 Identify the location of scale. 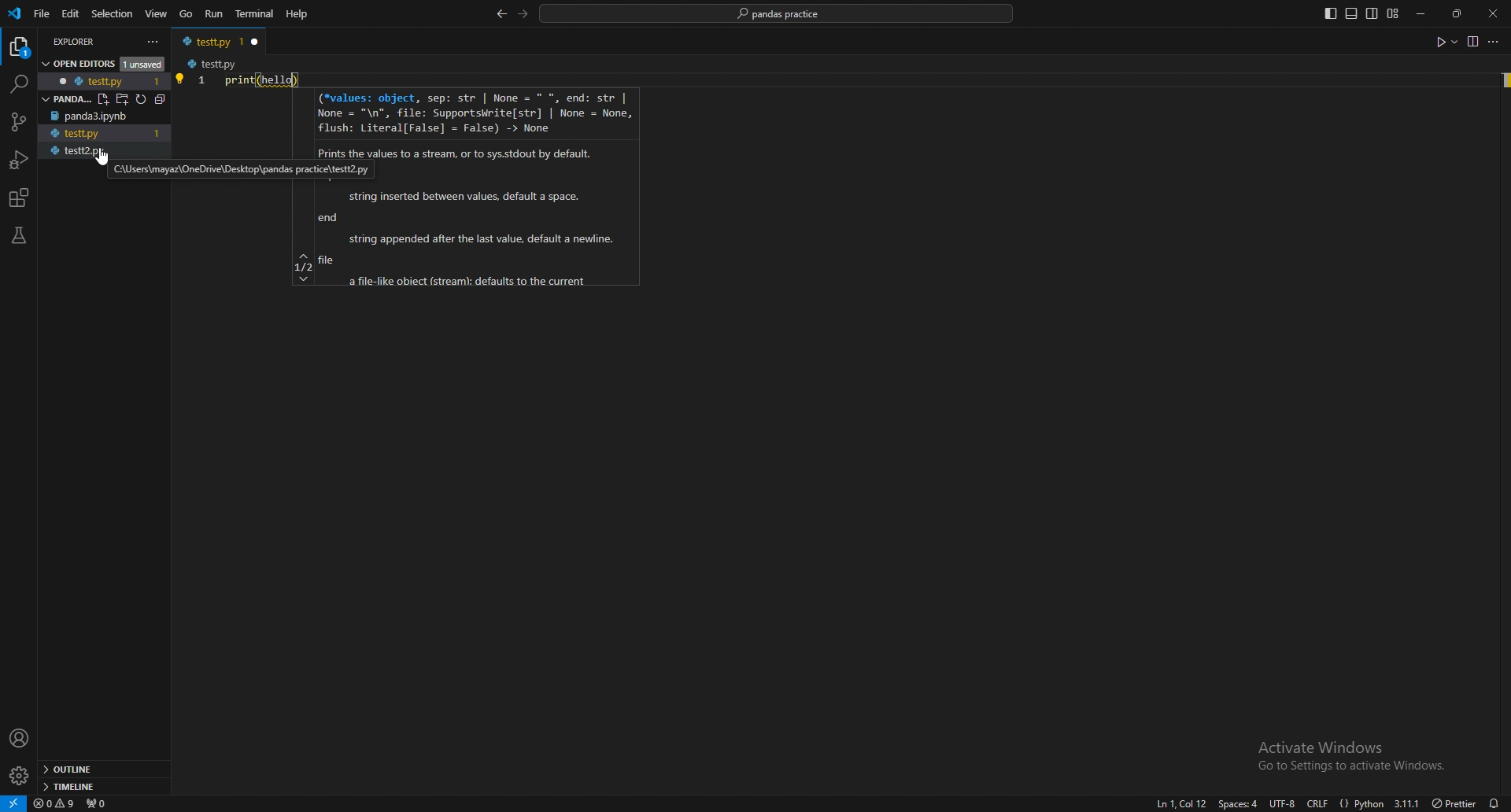
(201, 94).